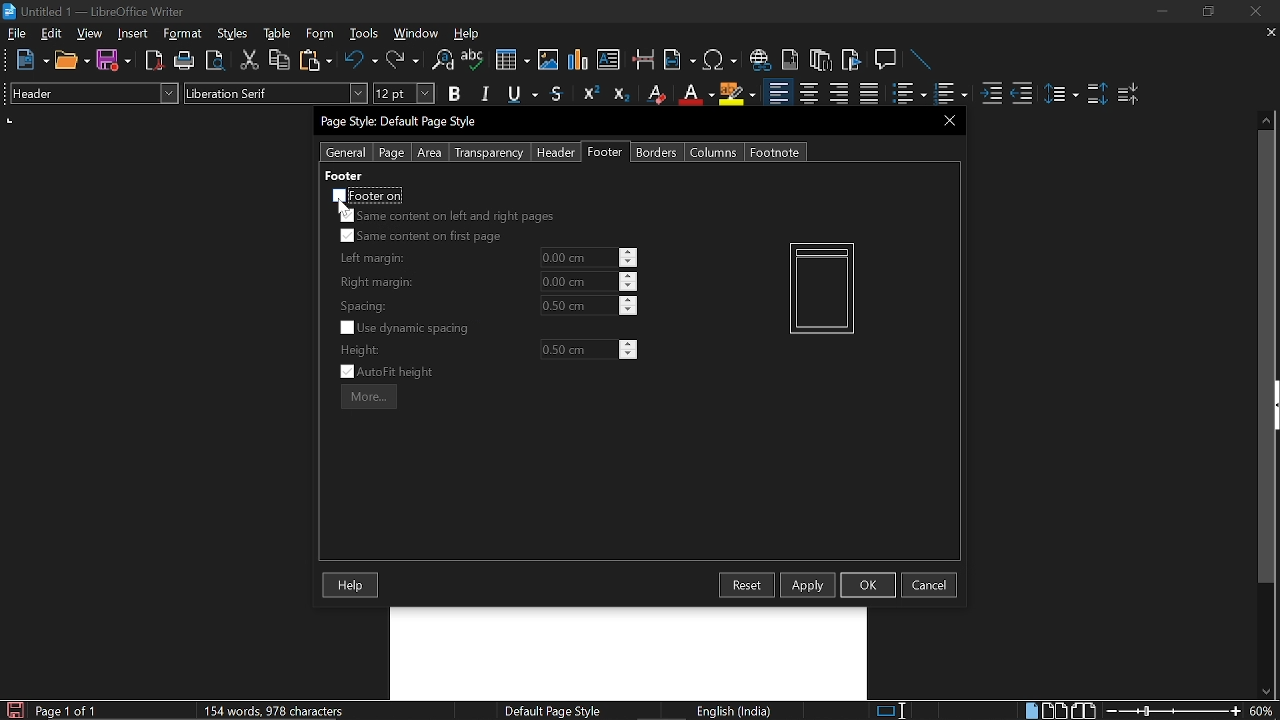 Image resolution: width=1280 pixels, height=720 pixels. Describe the element at coordinates (947, 120) in the screenshot. I see `CLose` at that location.